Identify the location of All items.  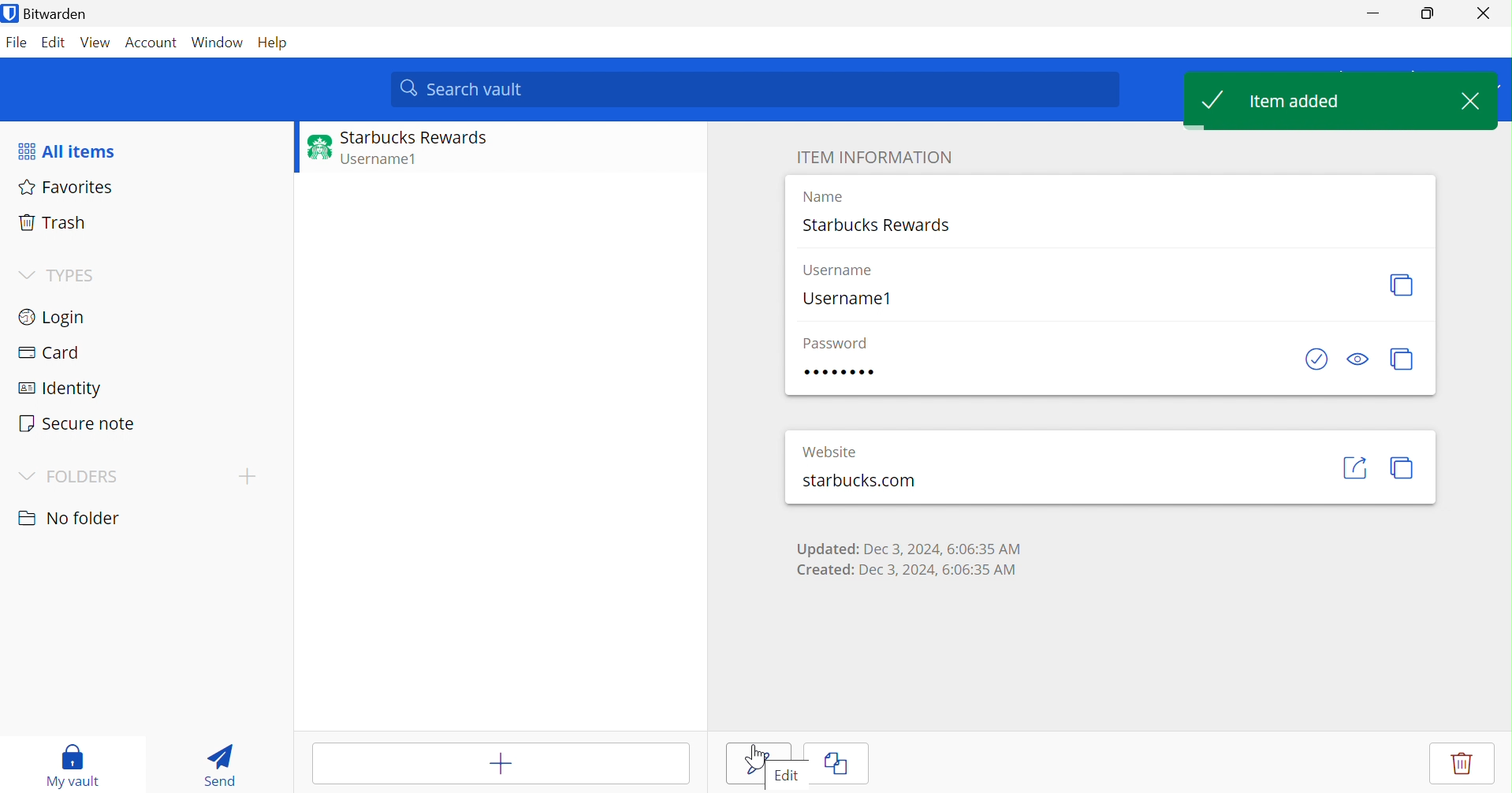
(65, 152).